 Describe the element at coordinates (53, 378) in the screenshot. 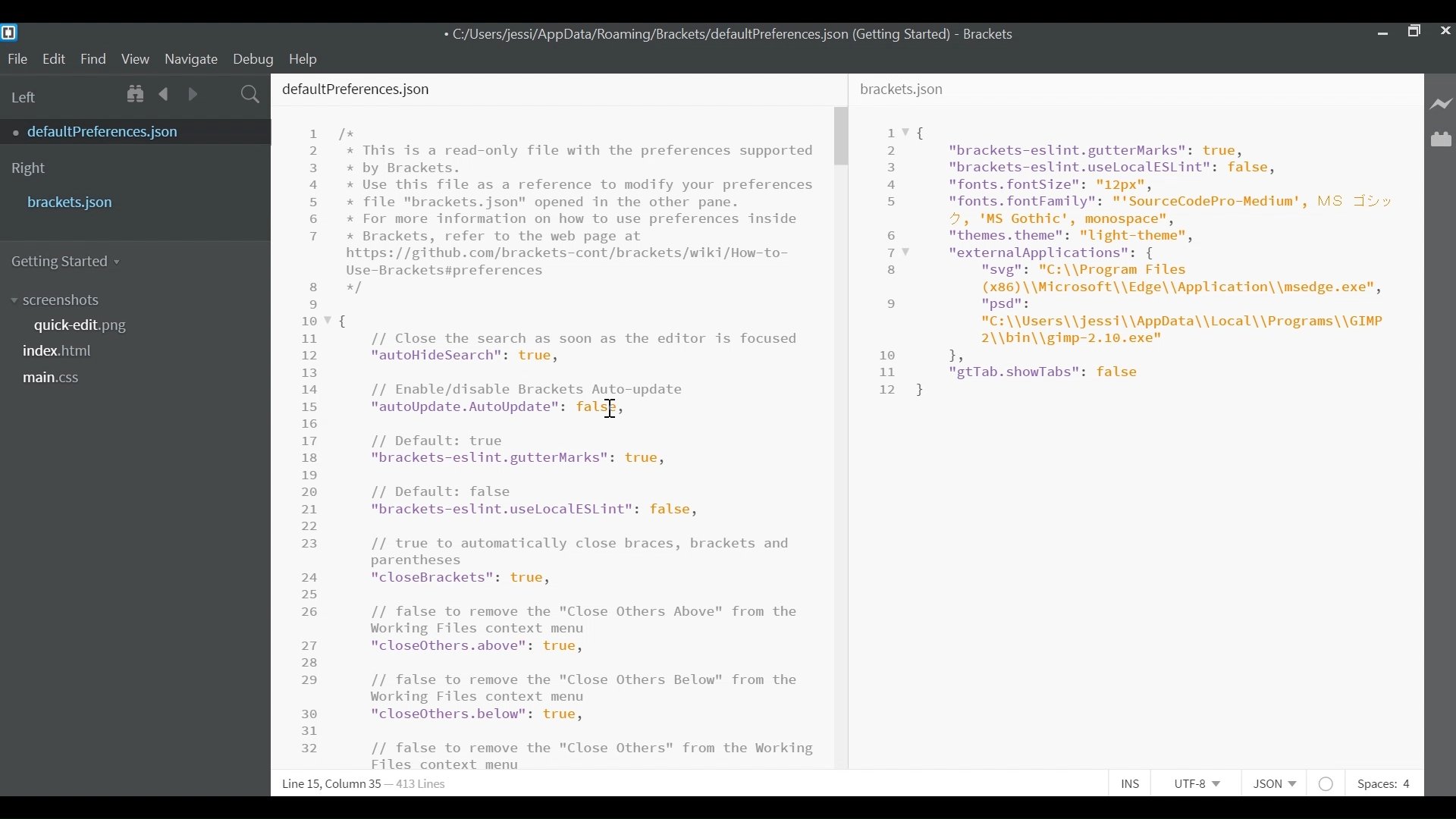

I see `main.css` at that location.